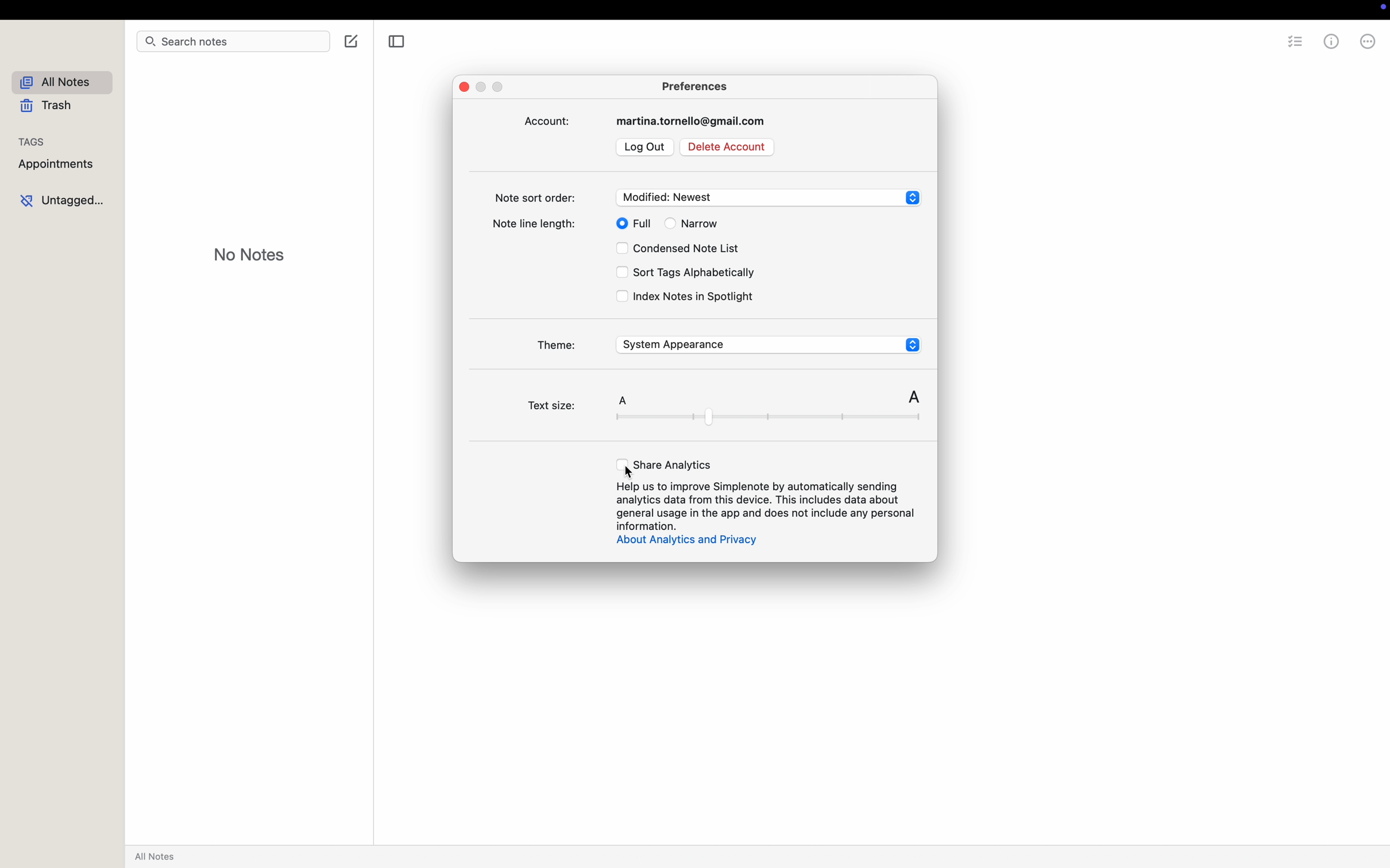 The image size is (1390, 868). What do you see at coordinates (725, 147) in the screenshot?
I see `delete account` at bounding box center [725, 147].